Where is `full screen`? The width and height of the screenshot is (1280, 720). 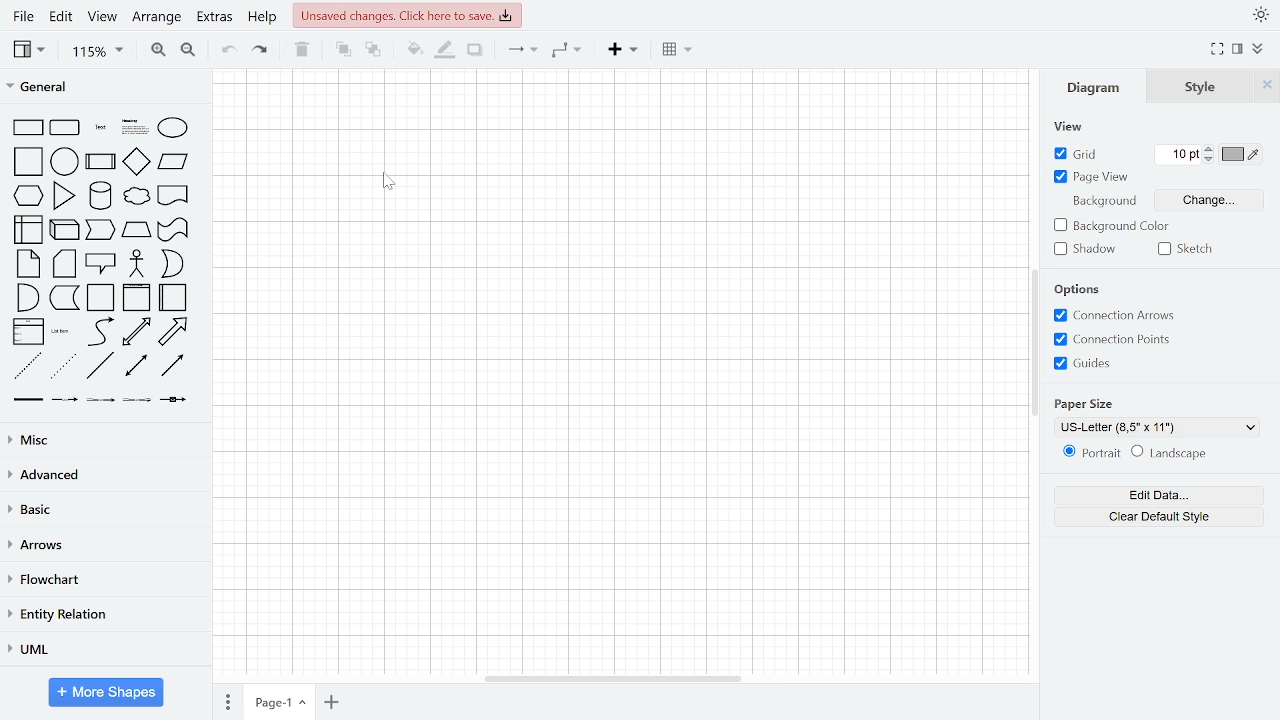
full screen is located at coordinates (1218, 49).